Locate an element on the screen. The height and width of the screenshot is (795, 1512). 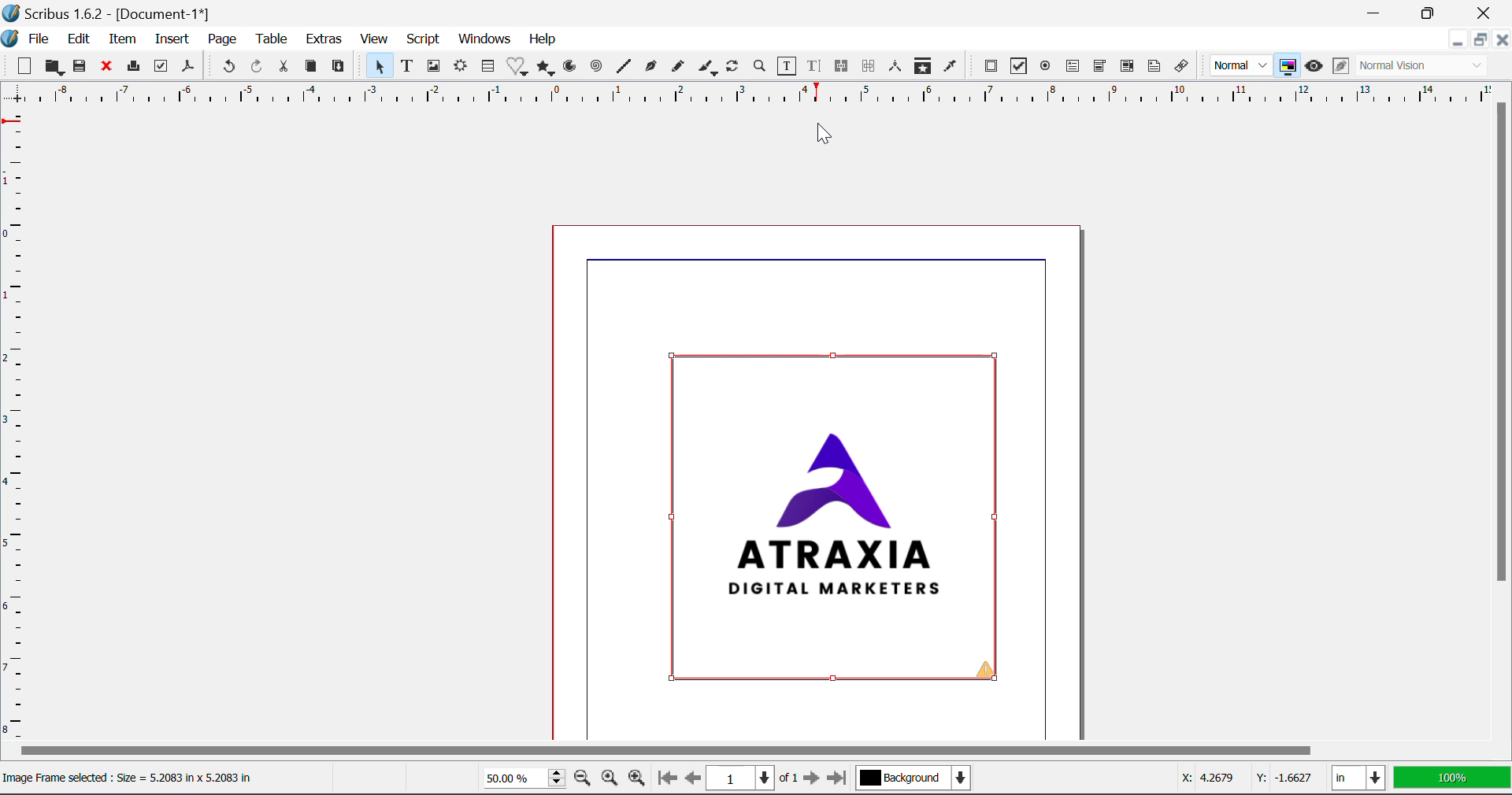
Close is located at coordinates (1503, 39).